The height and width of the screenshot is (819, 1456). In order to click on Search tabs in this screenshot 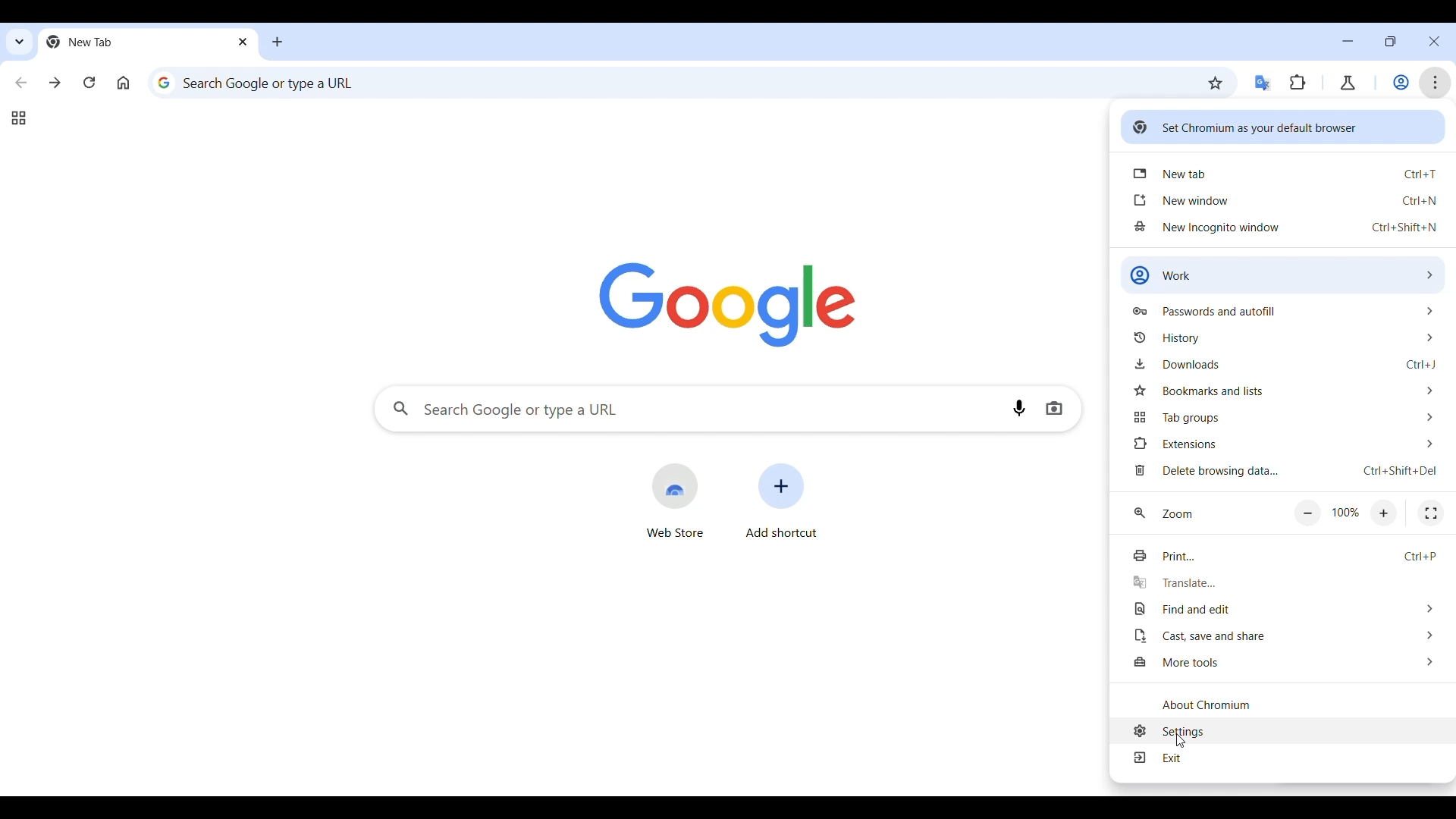, I will do `click(20, 42)`.